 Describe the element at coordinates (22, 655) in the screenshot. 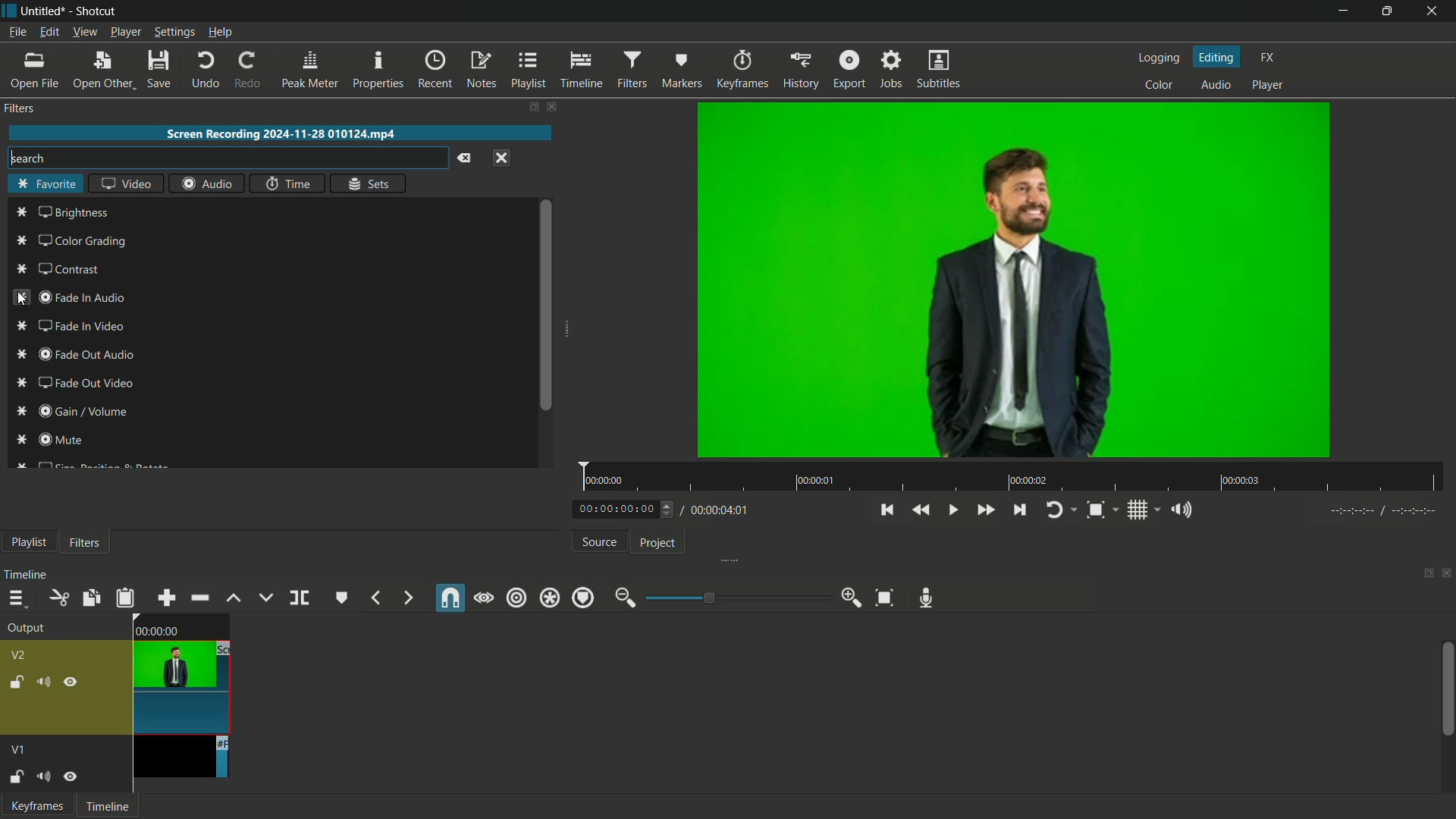

I see `v2` at that location.